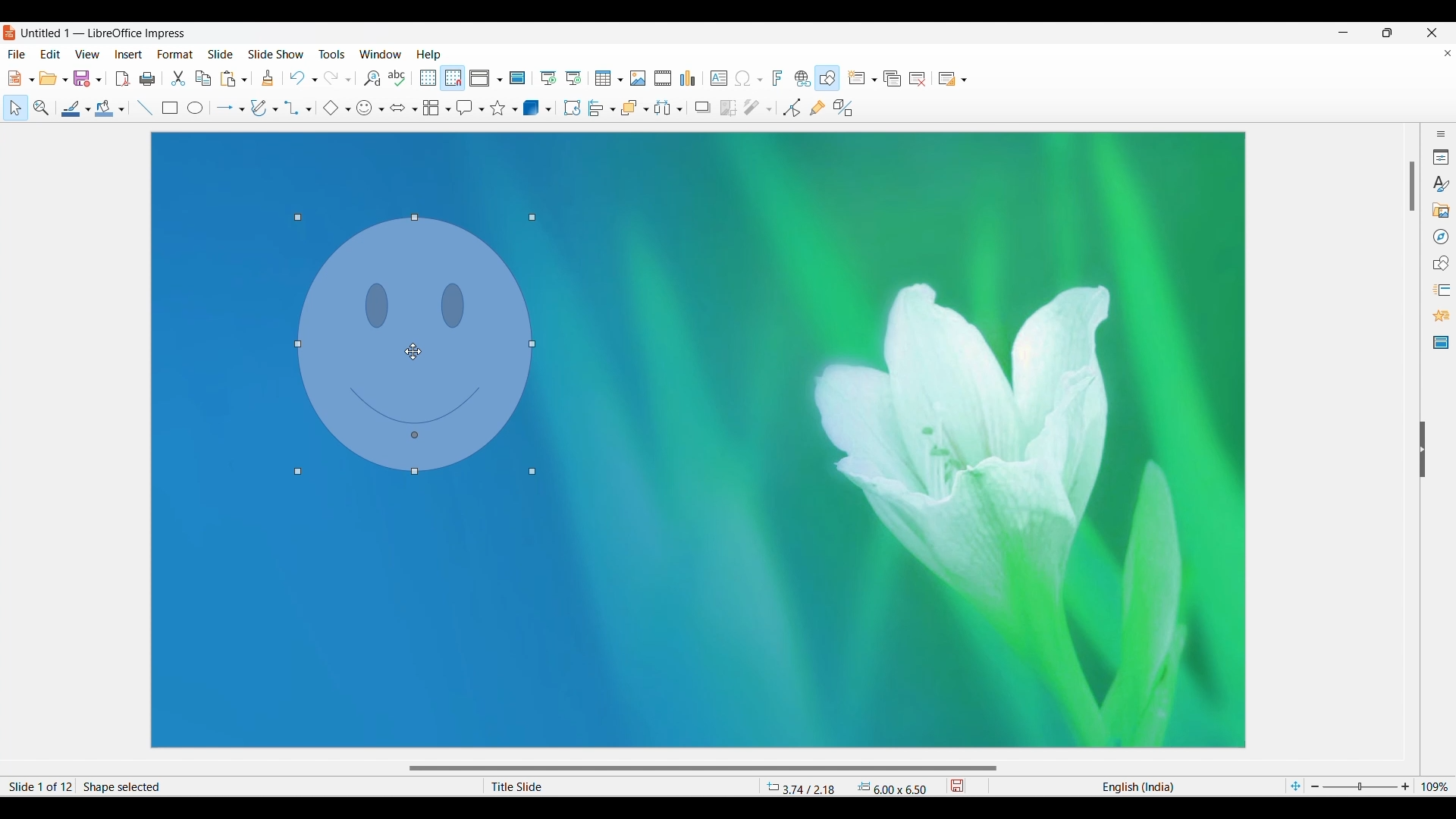 The width and height of the screenshot is (1456, 819). I want to click on Selected view, so click(479, 78).